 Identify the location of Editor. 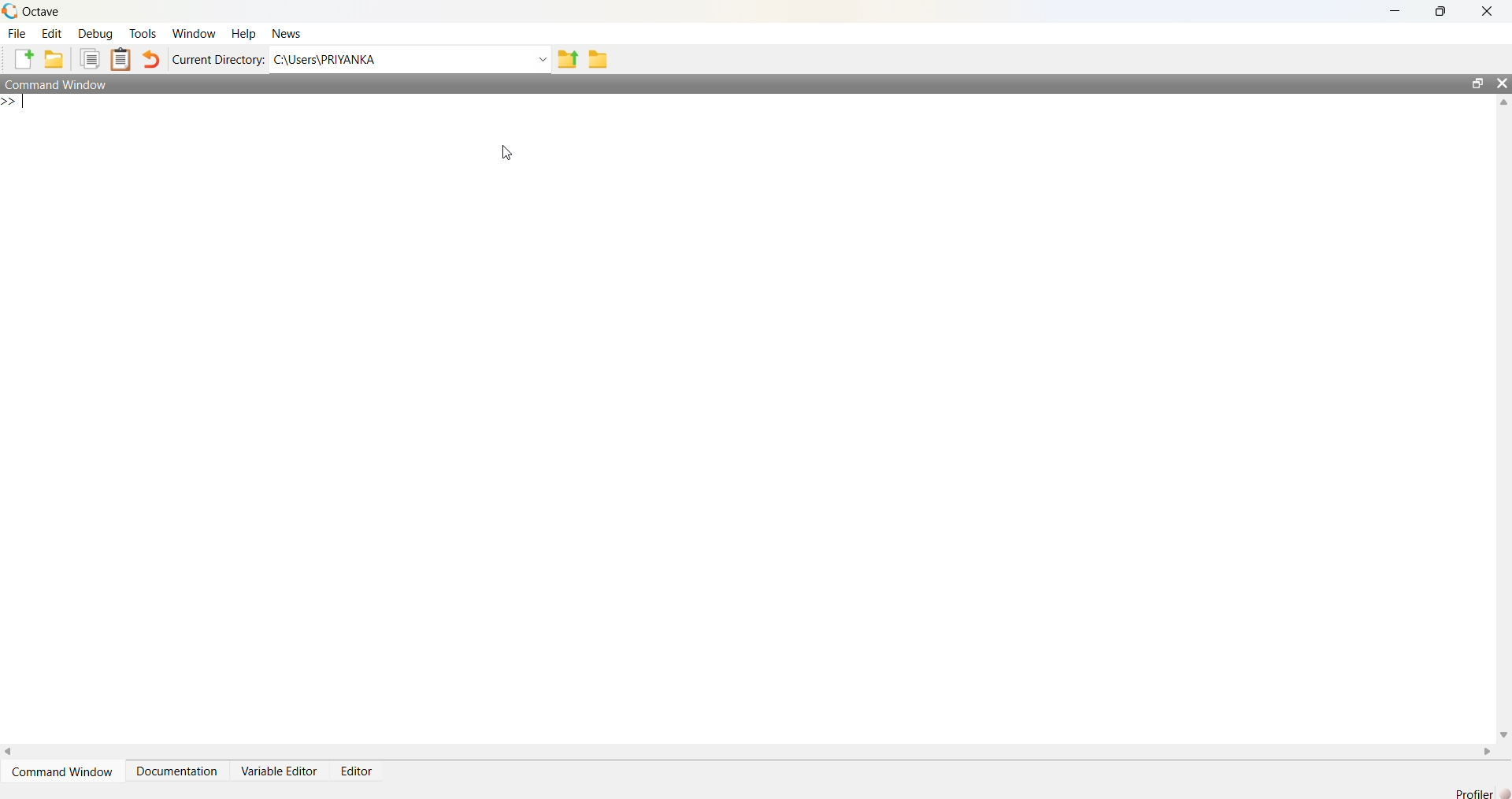
(362, 770).